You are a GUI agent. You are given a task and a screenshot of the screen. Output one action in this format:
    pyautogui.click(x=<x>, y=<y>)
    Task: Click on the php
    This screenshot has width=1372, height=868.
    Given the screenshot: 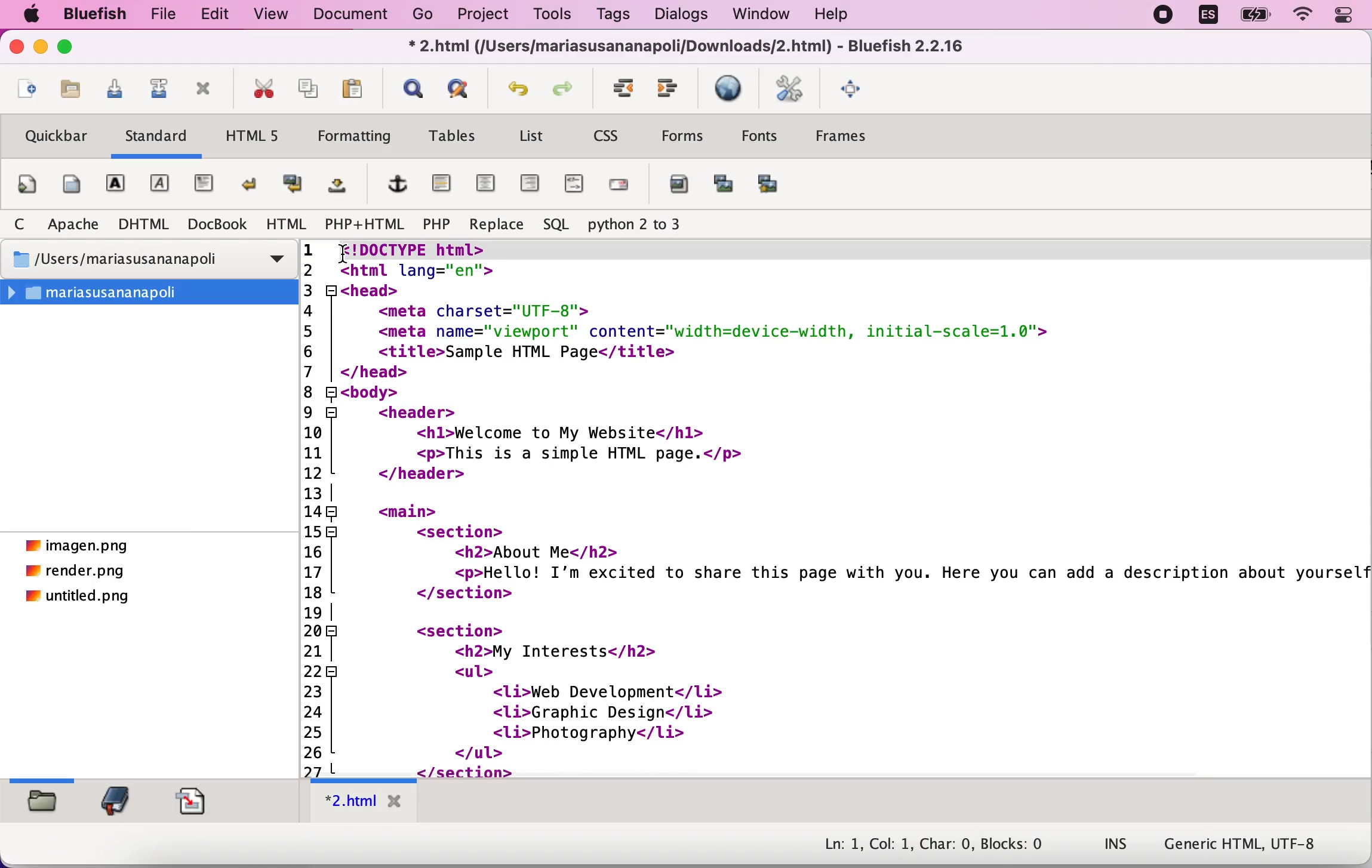 What is the action you would take?
    pyautogui.click(x=435, y=223)
    